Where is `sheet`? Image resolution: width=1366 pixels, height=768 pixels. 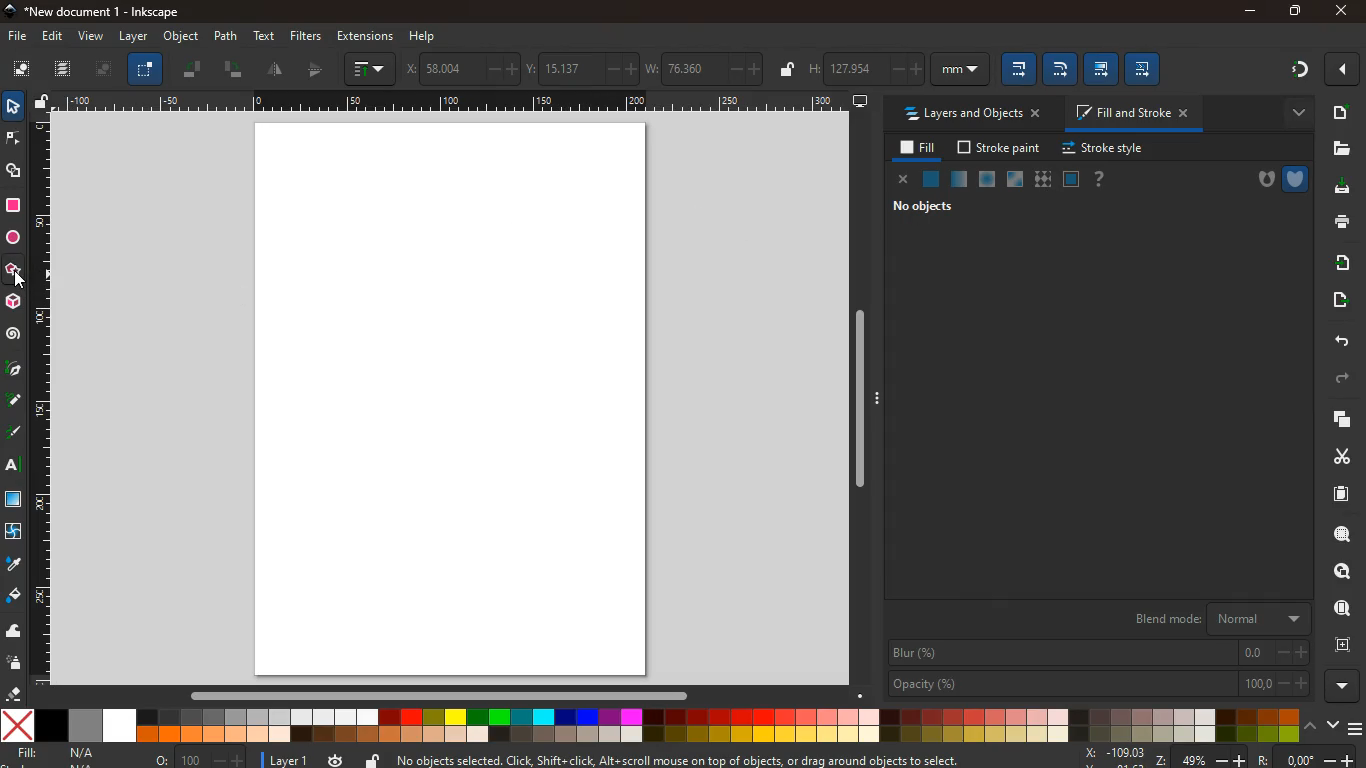 sheet is located at coordinates (1334, 498).